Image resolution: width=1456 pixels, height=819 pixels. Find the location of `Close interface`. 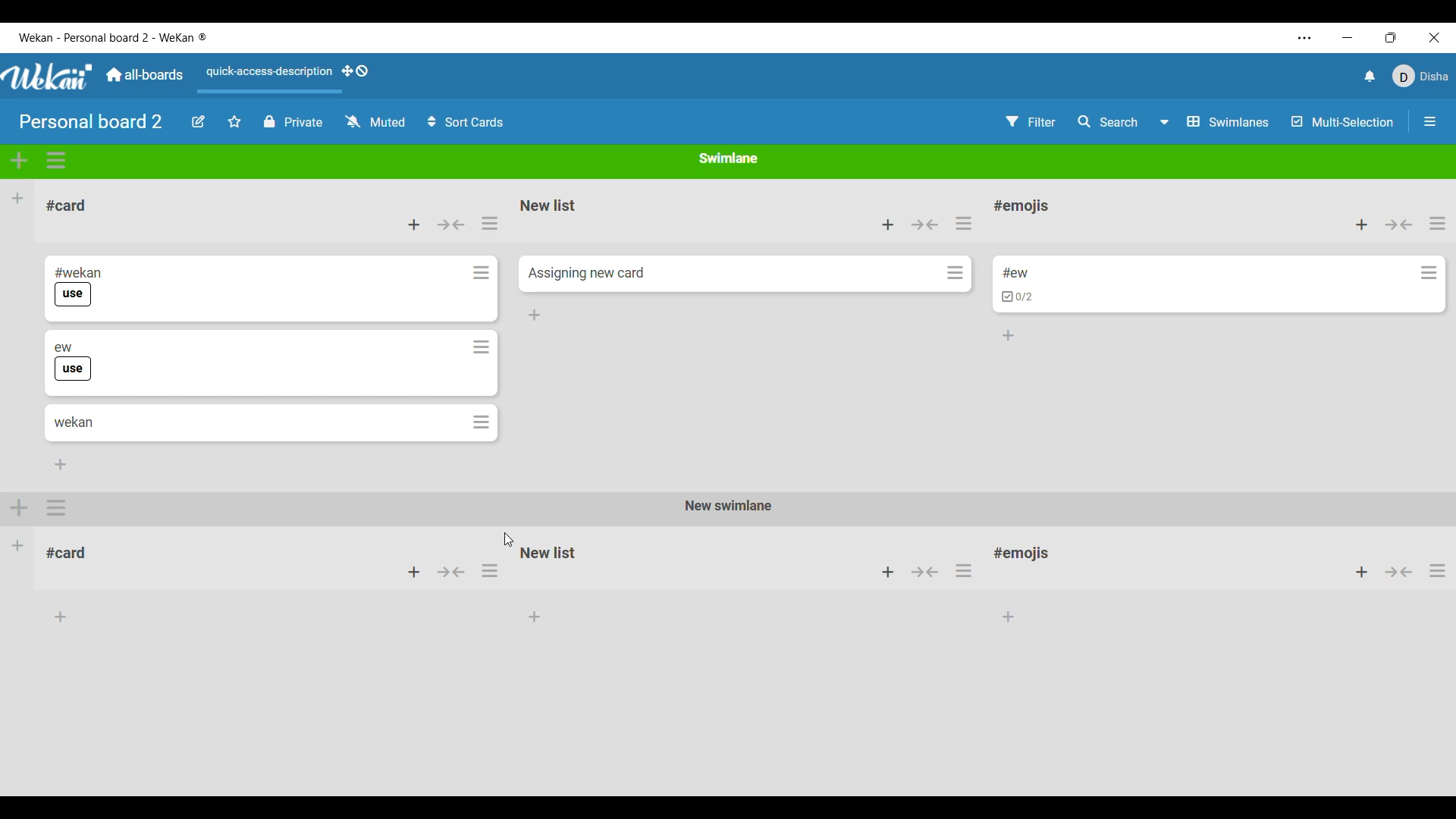

Close interface is located at coordinates (1435, 37).